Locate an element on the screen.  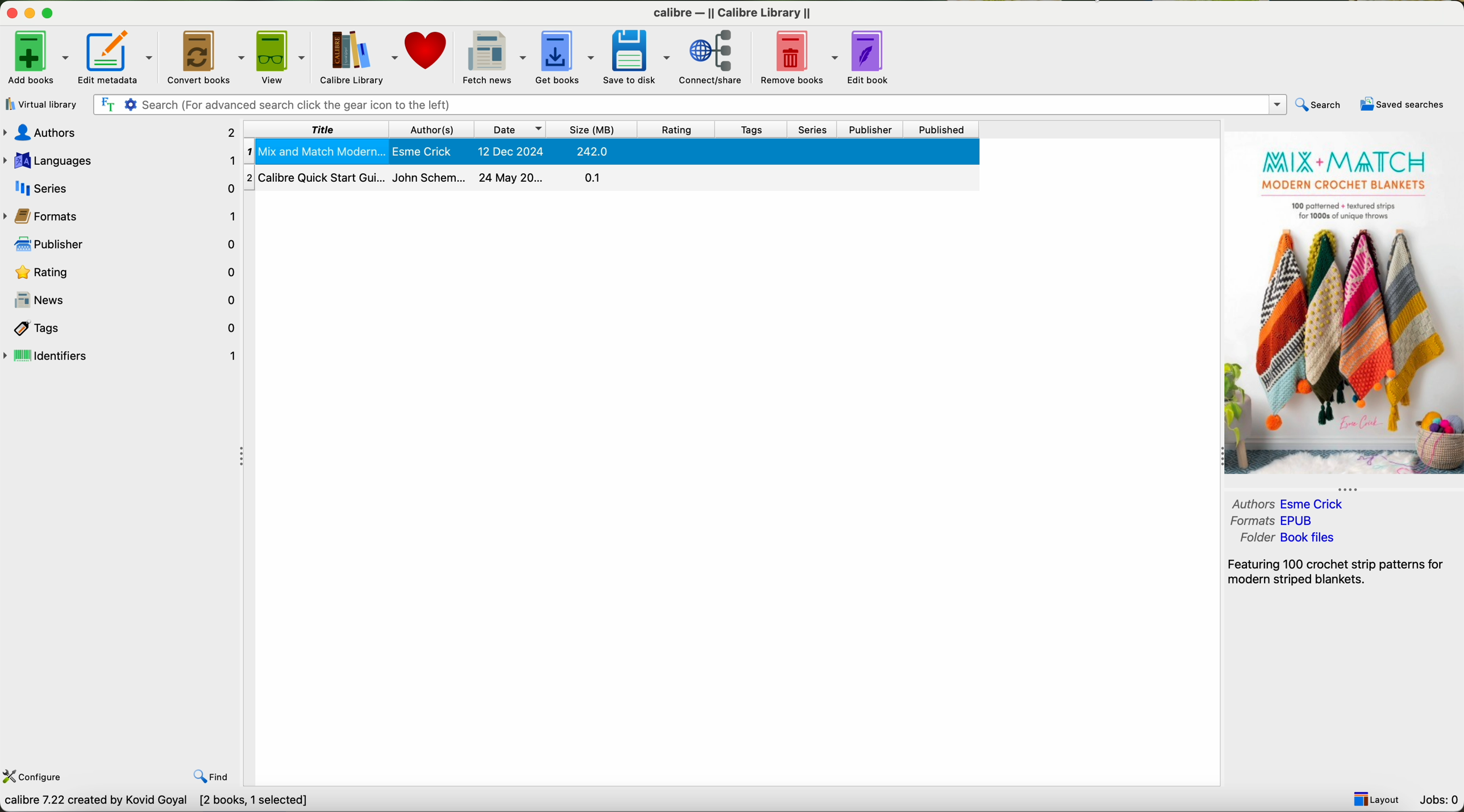
published is located at coordinates (942, 129).